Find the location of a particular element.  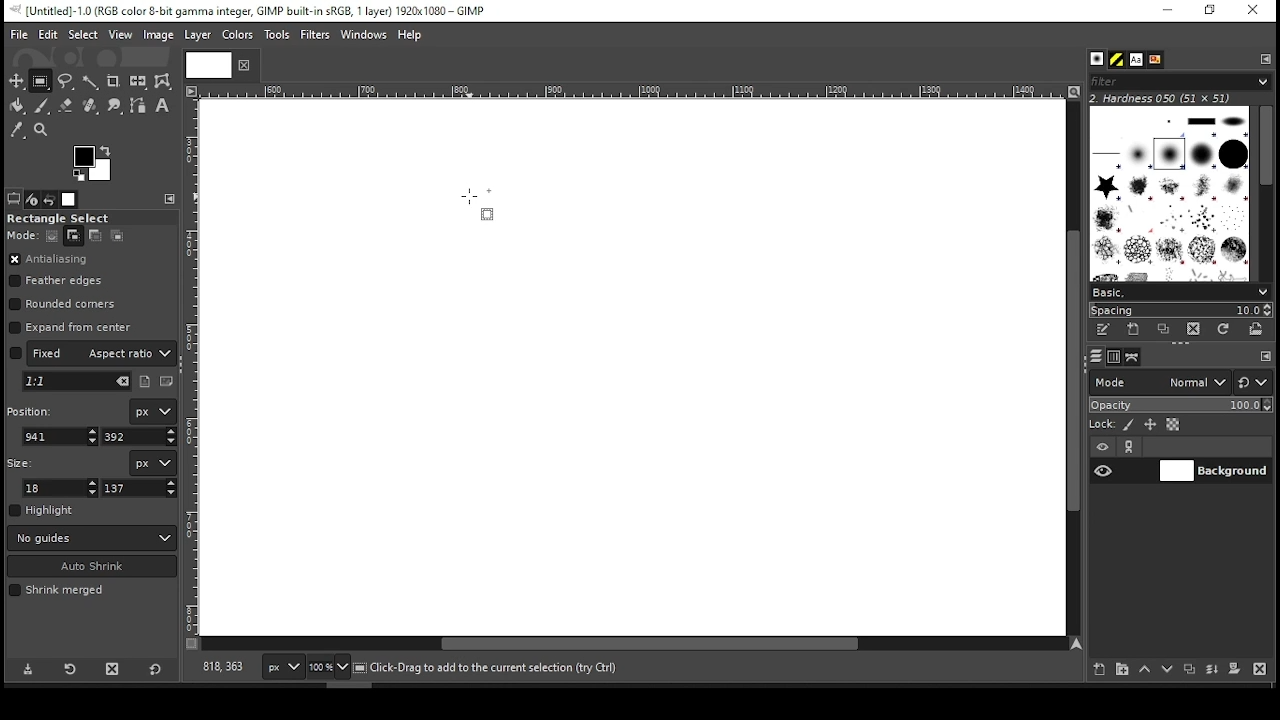

file is located at coordinates (19, 35).